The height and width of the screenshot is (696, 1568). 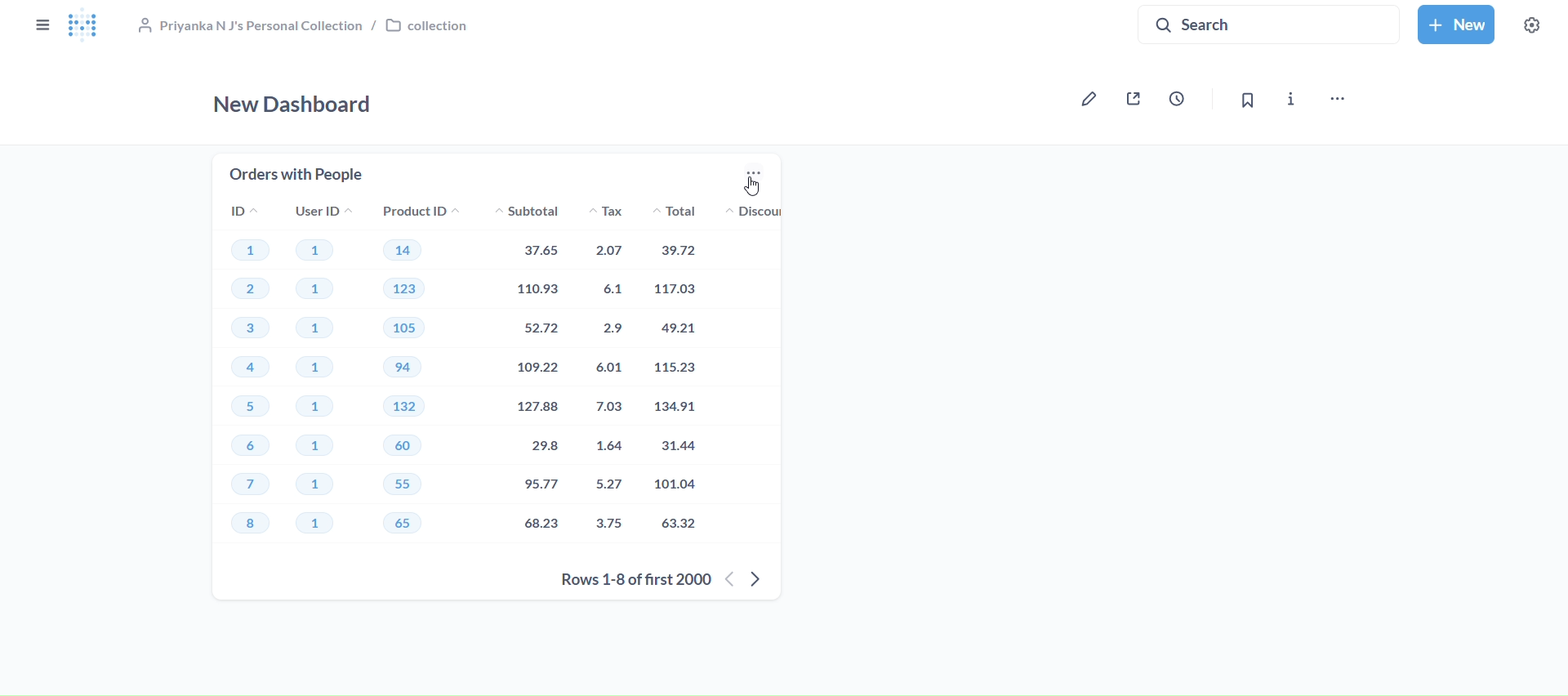 I want to click on previous, so click(x=730, y=579).